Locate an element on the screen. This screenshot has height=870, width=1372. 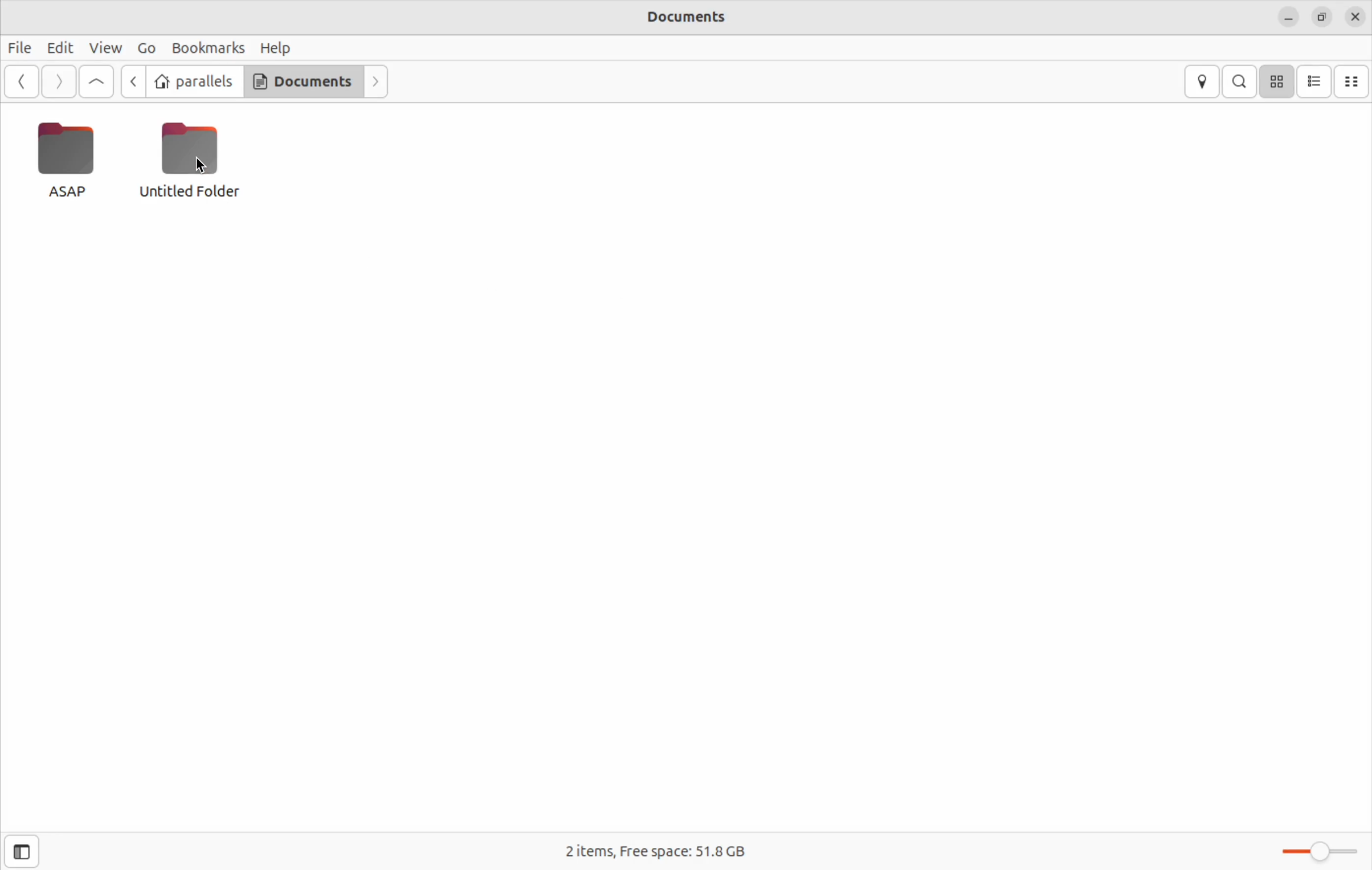
parallels is located at coordinates (194, 82).